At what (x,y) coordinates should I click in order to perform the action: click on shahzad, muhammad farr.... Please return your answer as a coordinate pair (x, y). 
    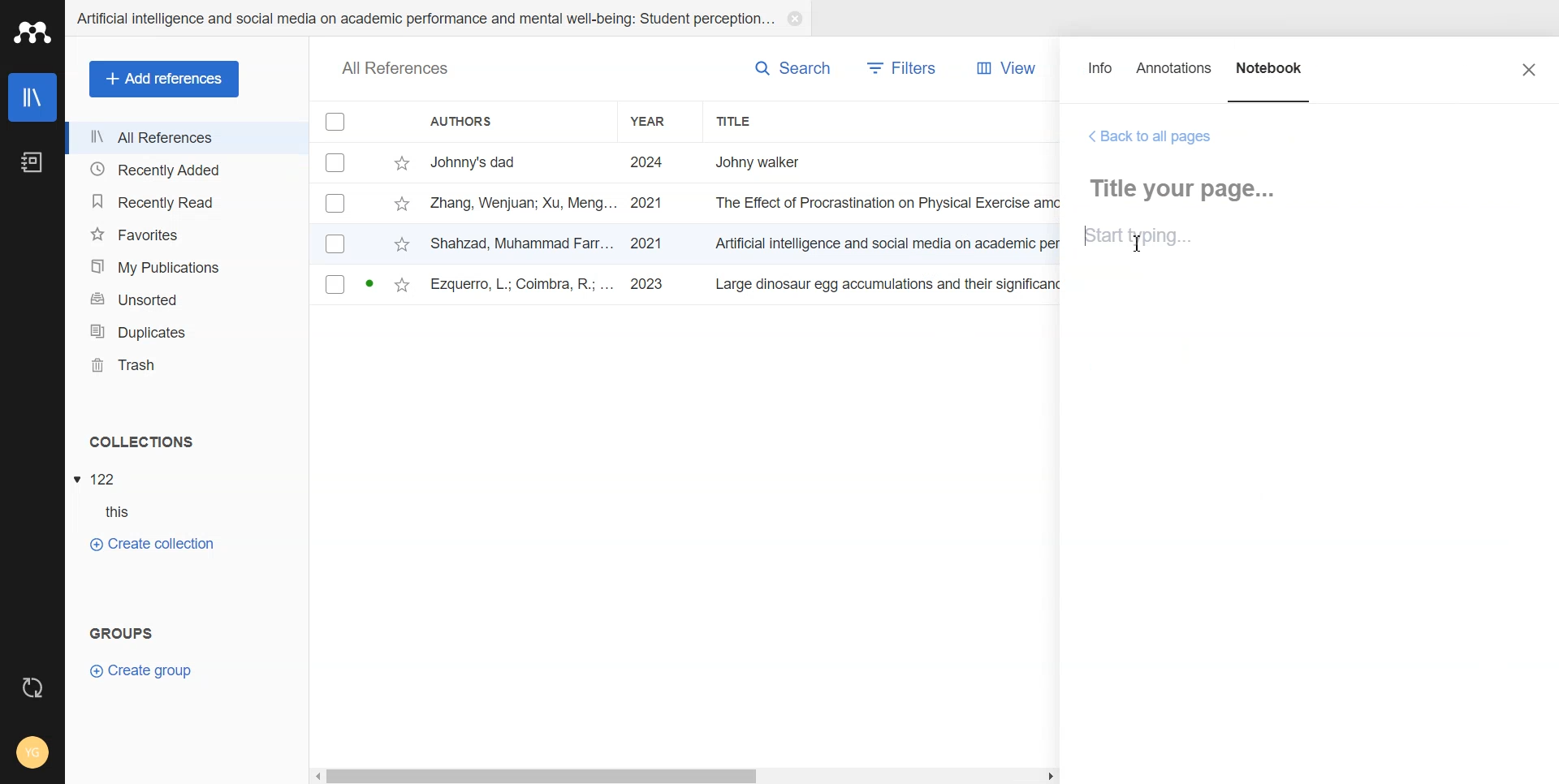
    Looking at the image, I should click on (524, 243).